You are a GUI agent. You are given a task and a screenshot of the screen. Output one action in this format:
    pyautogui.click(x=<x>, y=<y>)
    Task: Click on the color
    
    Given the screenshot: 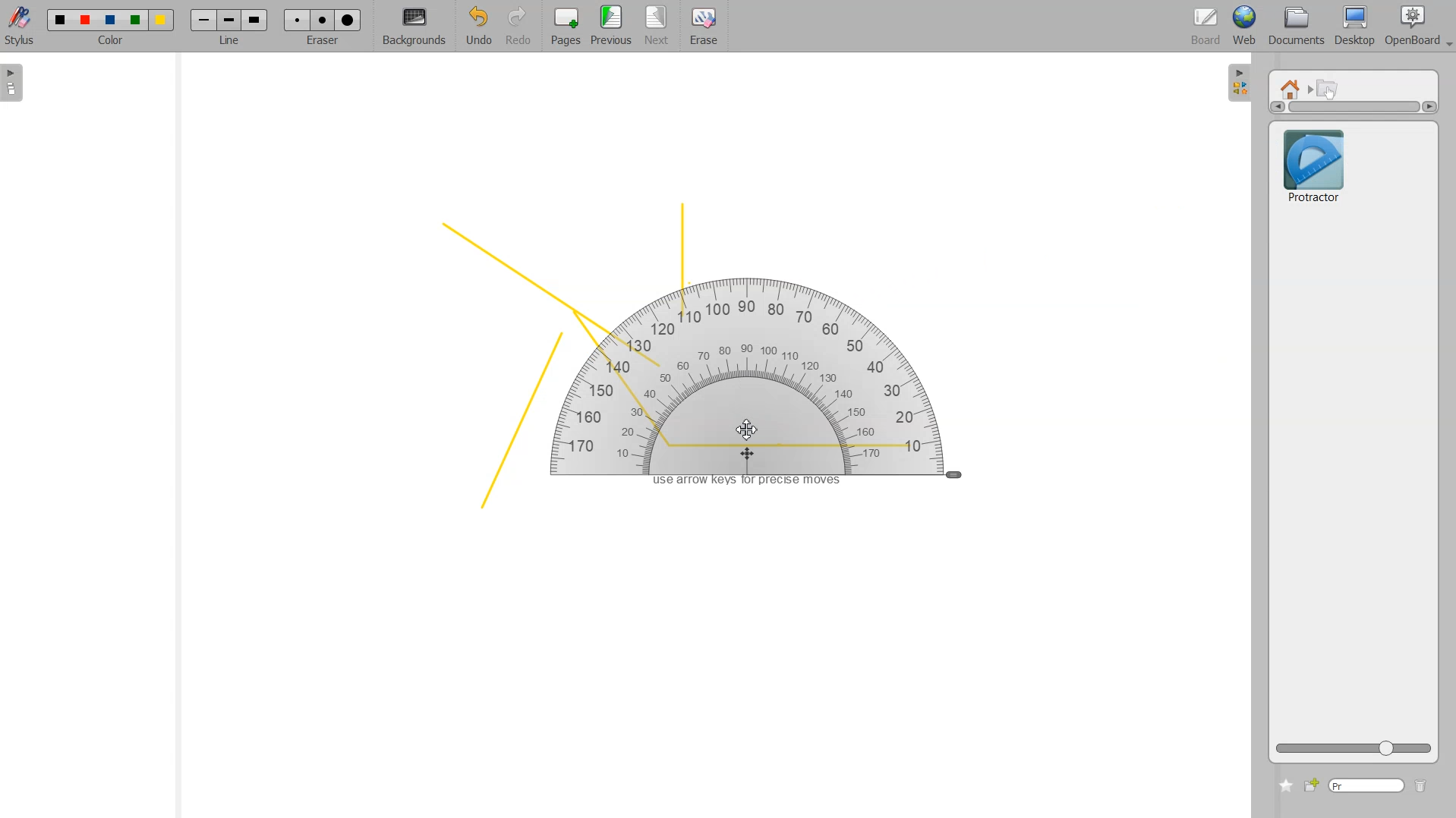 What is the action you would take?
    pyautogui.click(x=112, y=42)
    